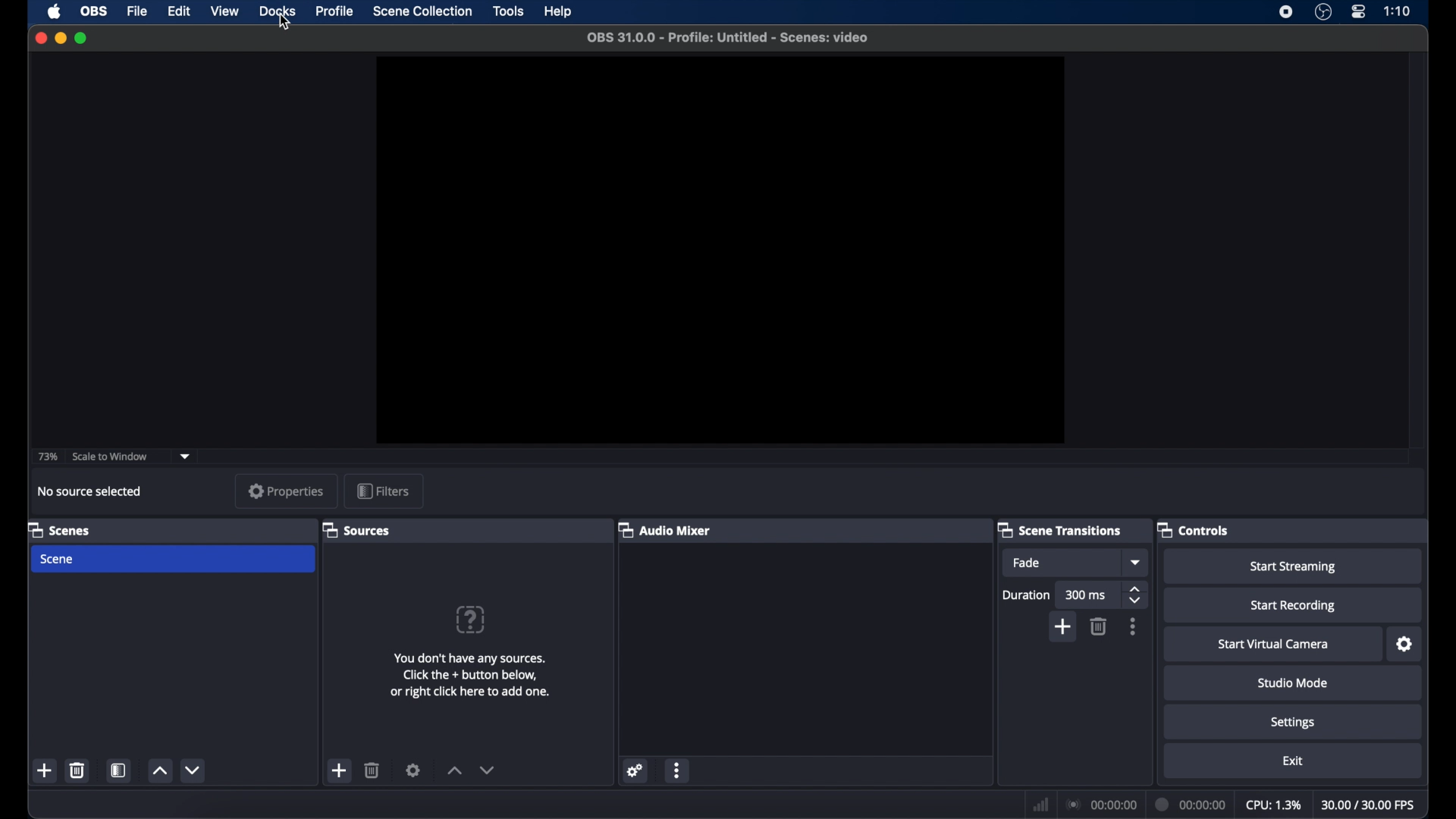 The image size is (1456, 819). I want to click on dropdown, so click(186, 455).